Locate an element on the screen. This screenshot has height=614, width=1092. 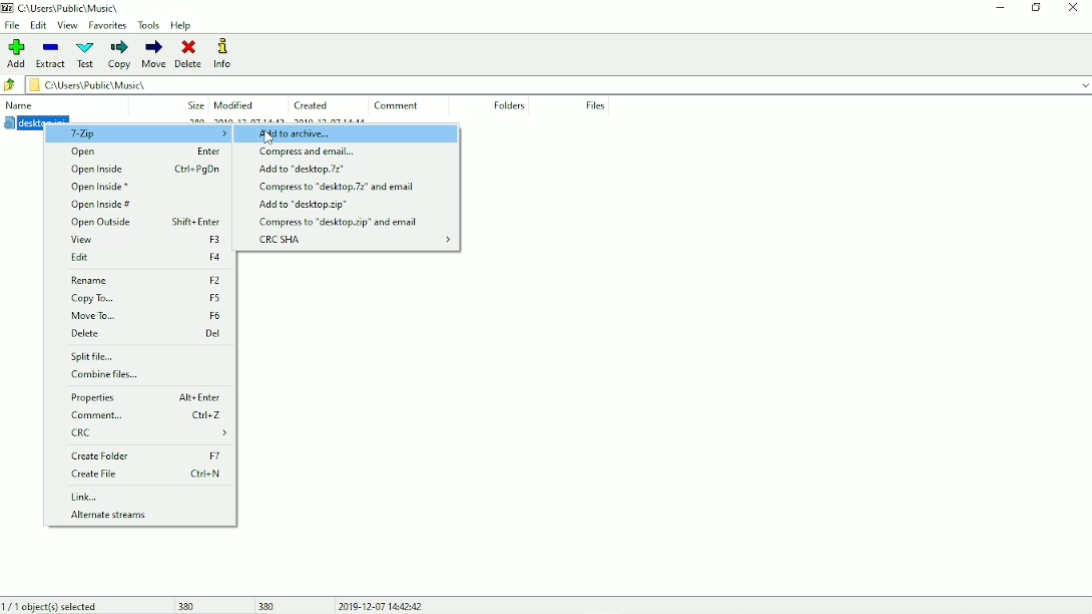
Created is located at coordinates (314, 105).